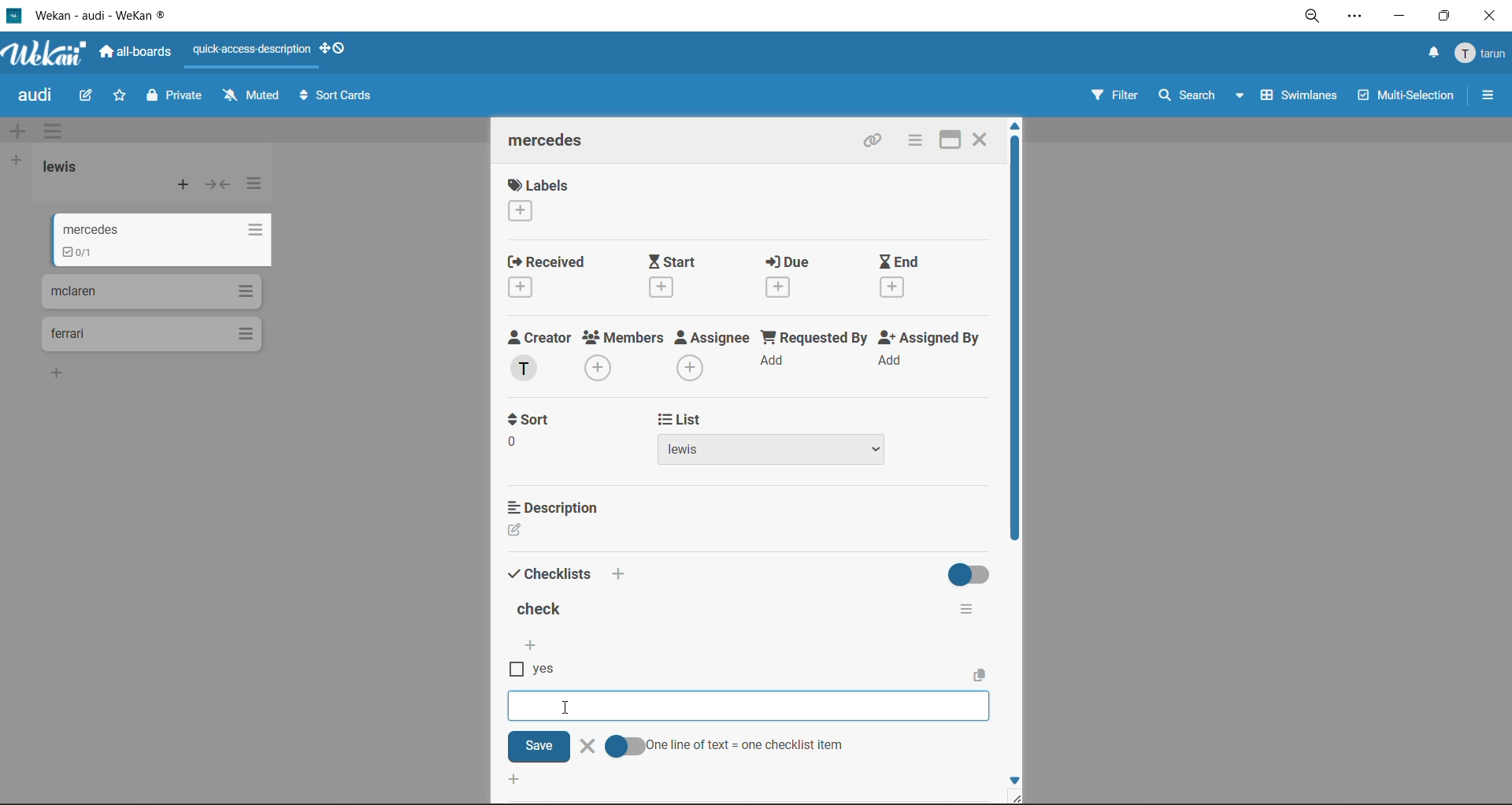  What do you see at coordinates (176, 98) in the screenshot?
I see `private` at bounding box center [176, 98].